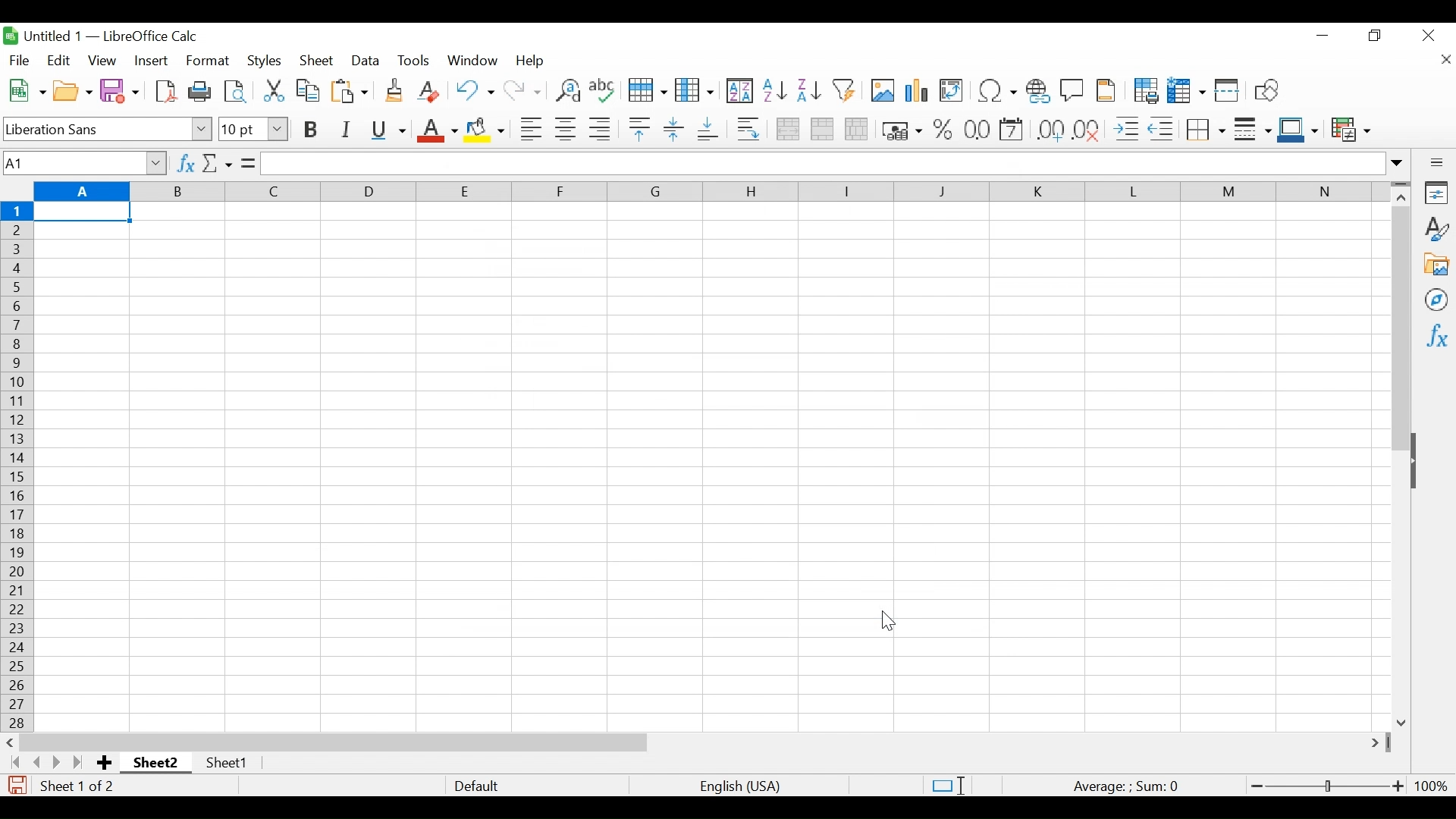  Describe the element at coordinates (366, 61) in the screenshot. I see `Data` at that location.